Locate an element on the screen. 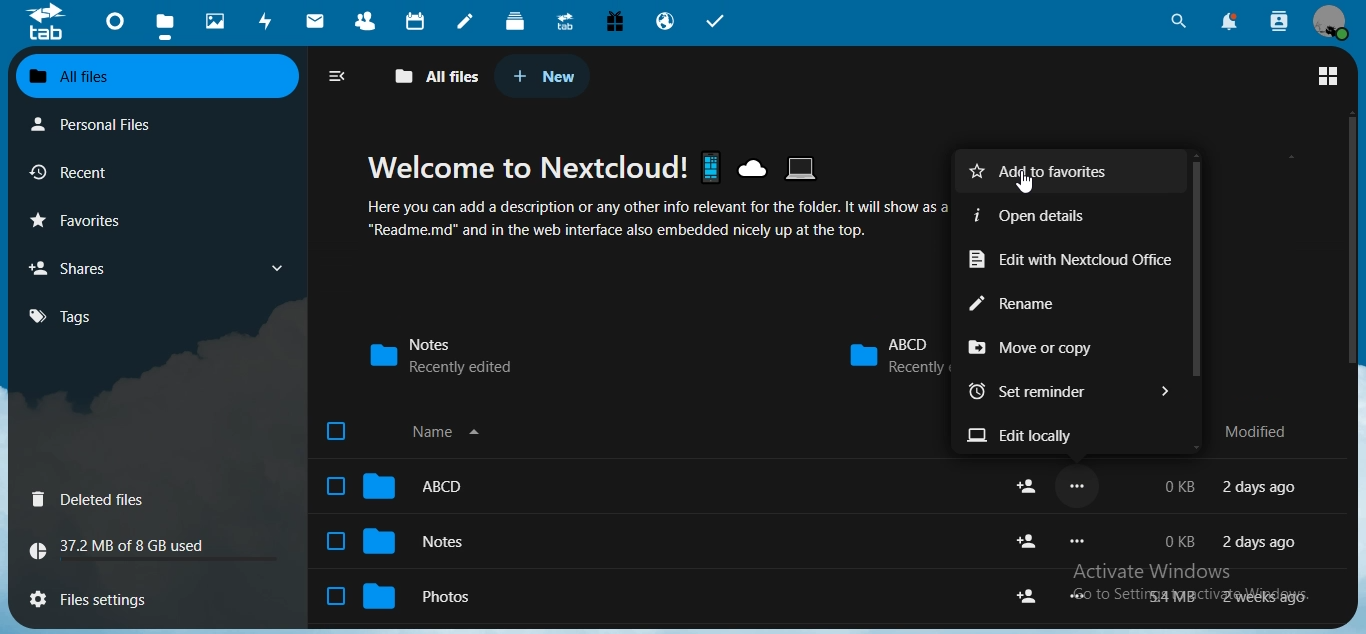 Image resolution: width=1366 pixels, height=634 pixels. text is located at coordinates (1235, 489).